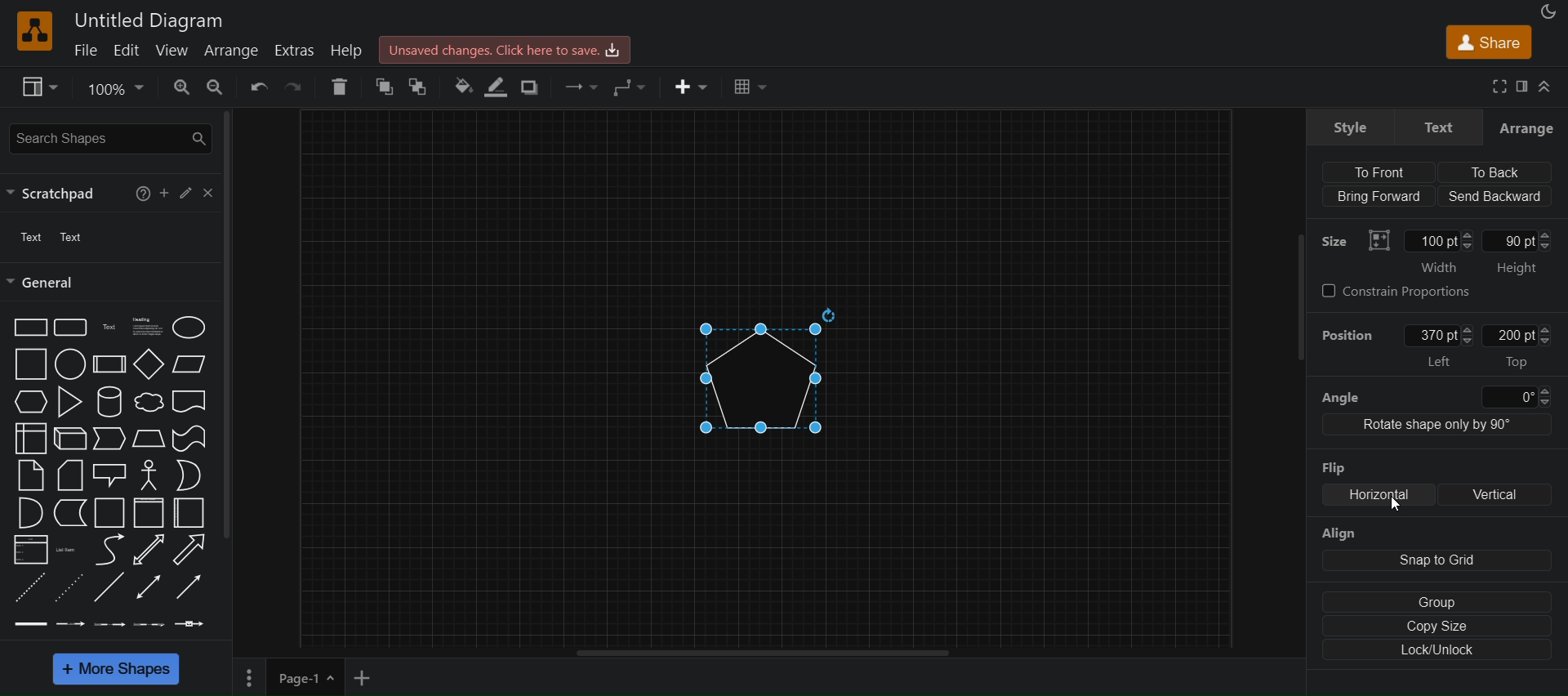 The height and width of the screenshot is (696, 1568). Describe the element at coordinates (31, 513) in the screenshot. I see `And` at that location.